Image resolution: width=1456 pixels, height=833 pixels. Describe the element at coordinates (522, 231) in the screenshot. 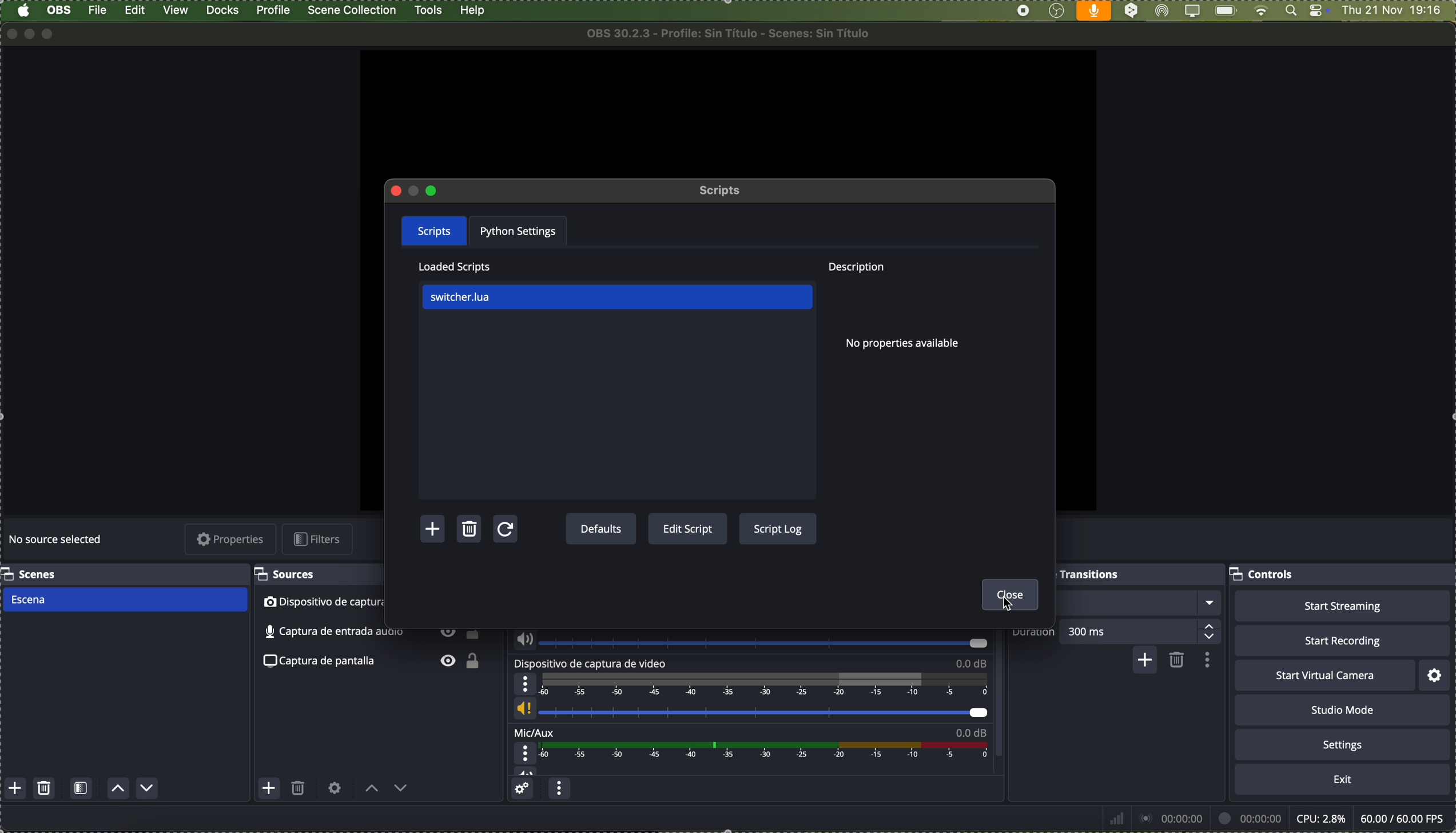

I see `python settings` at that location.